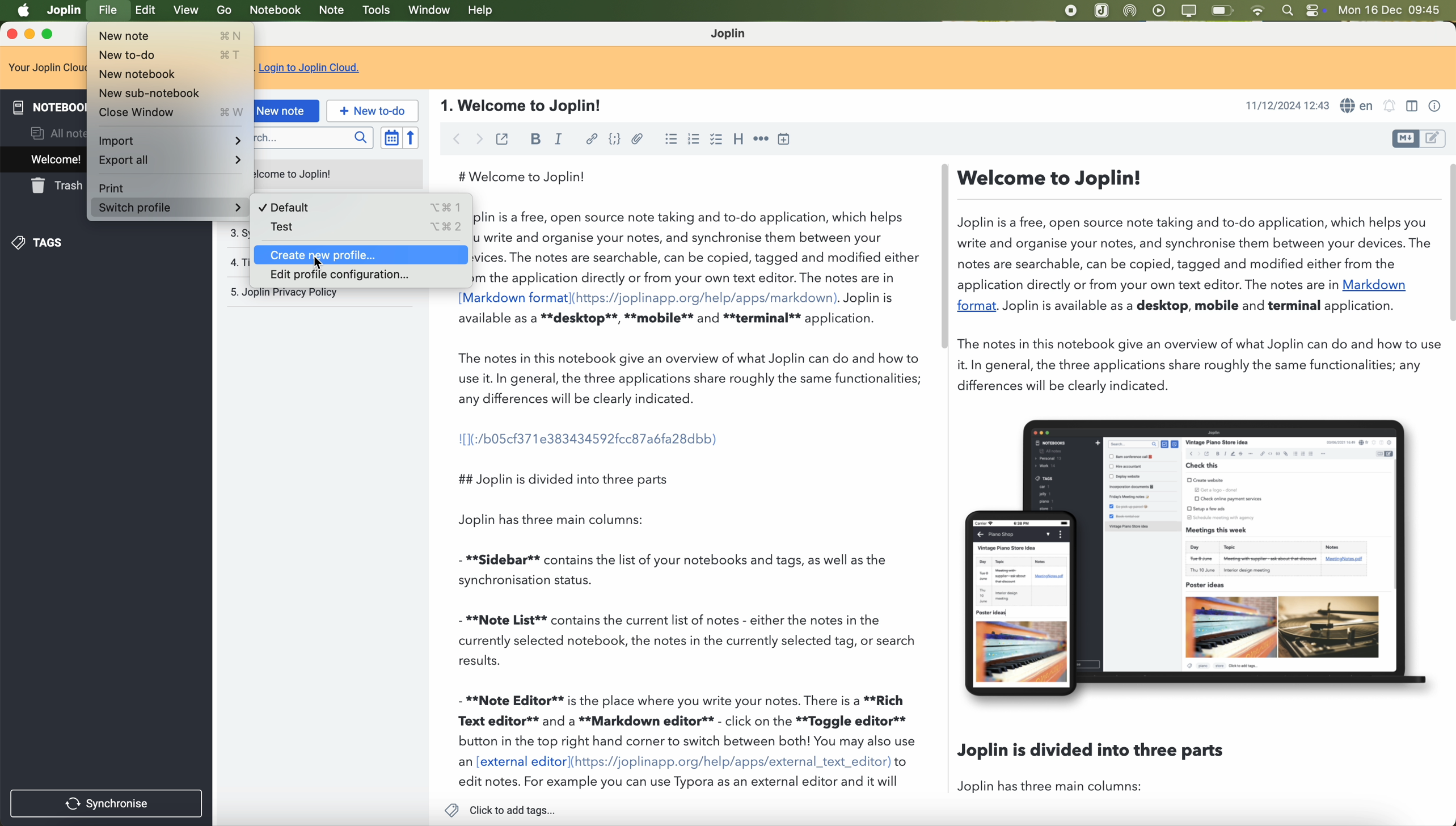  I want to click on reverse sort order, so click(410, 138).